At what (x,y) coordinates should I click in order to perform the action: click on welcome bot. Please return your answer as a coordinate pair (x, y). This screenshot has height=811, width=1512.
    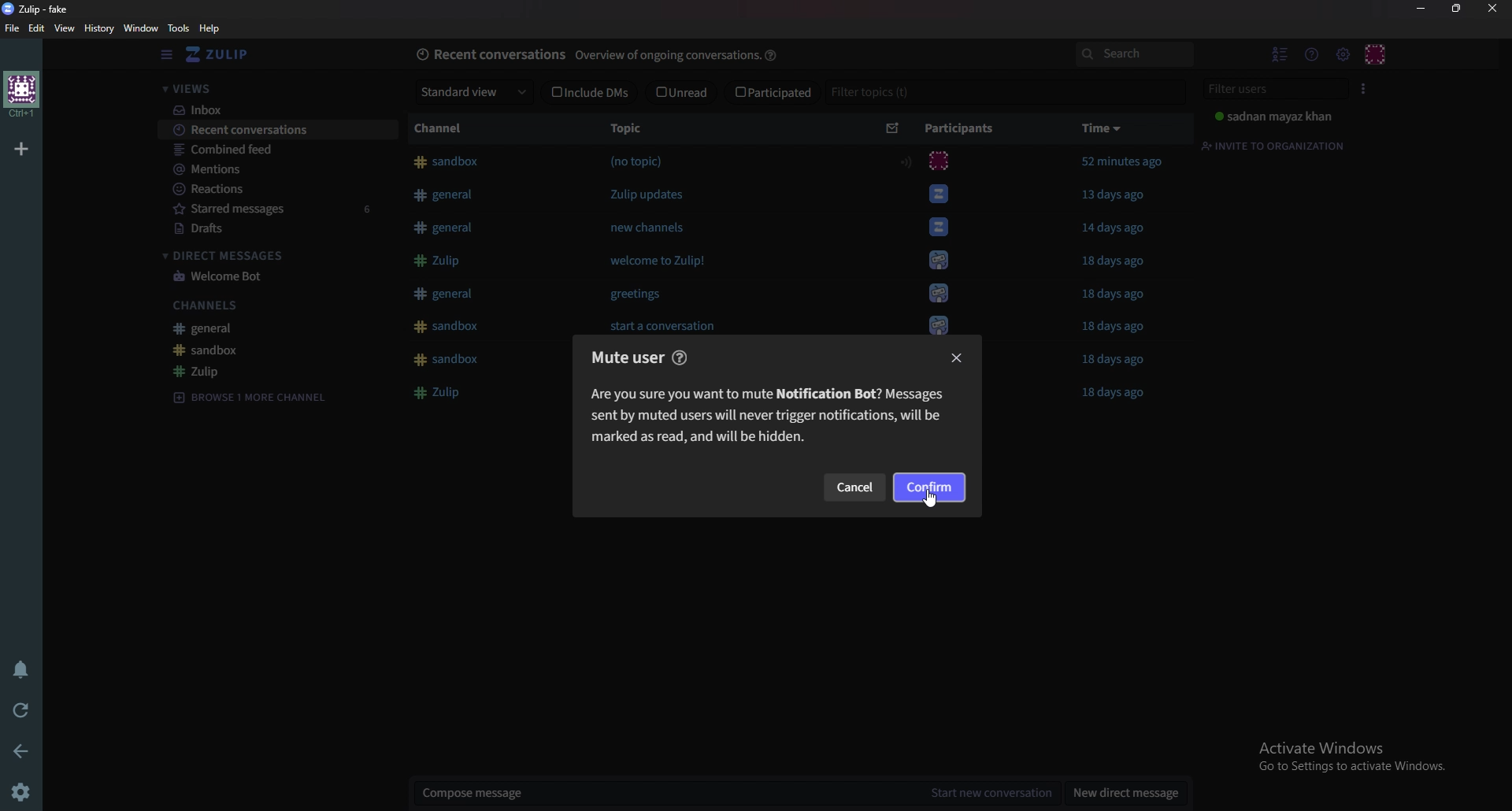
    Looking at the image, I should click on (265, 278).